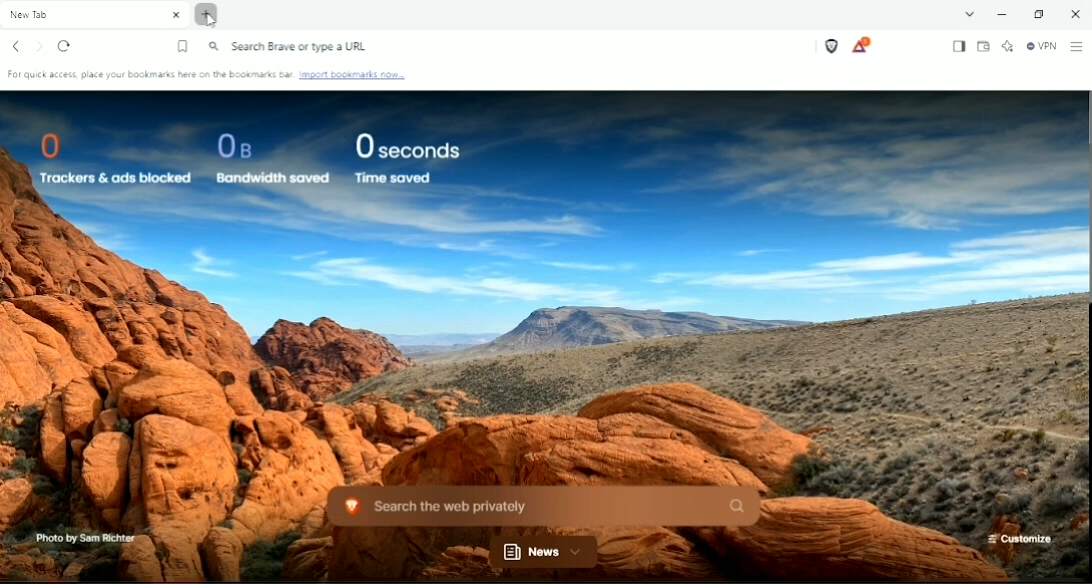 The image size is (1092, 584). What do you see at coordinates (1074, 13) in the screenshot?
I see `Close` at bounding box center [1074, 13].